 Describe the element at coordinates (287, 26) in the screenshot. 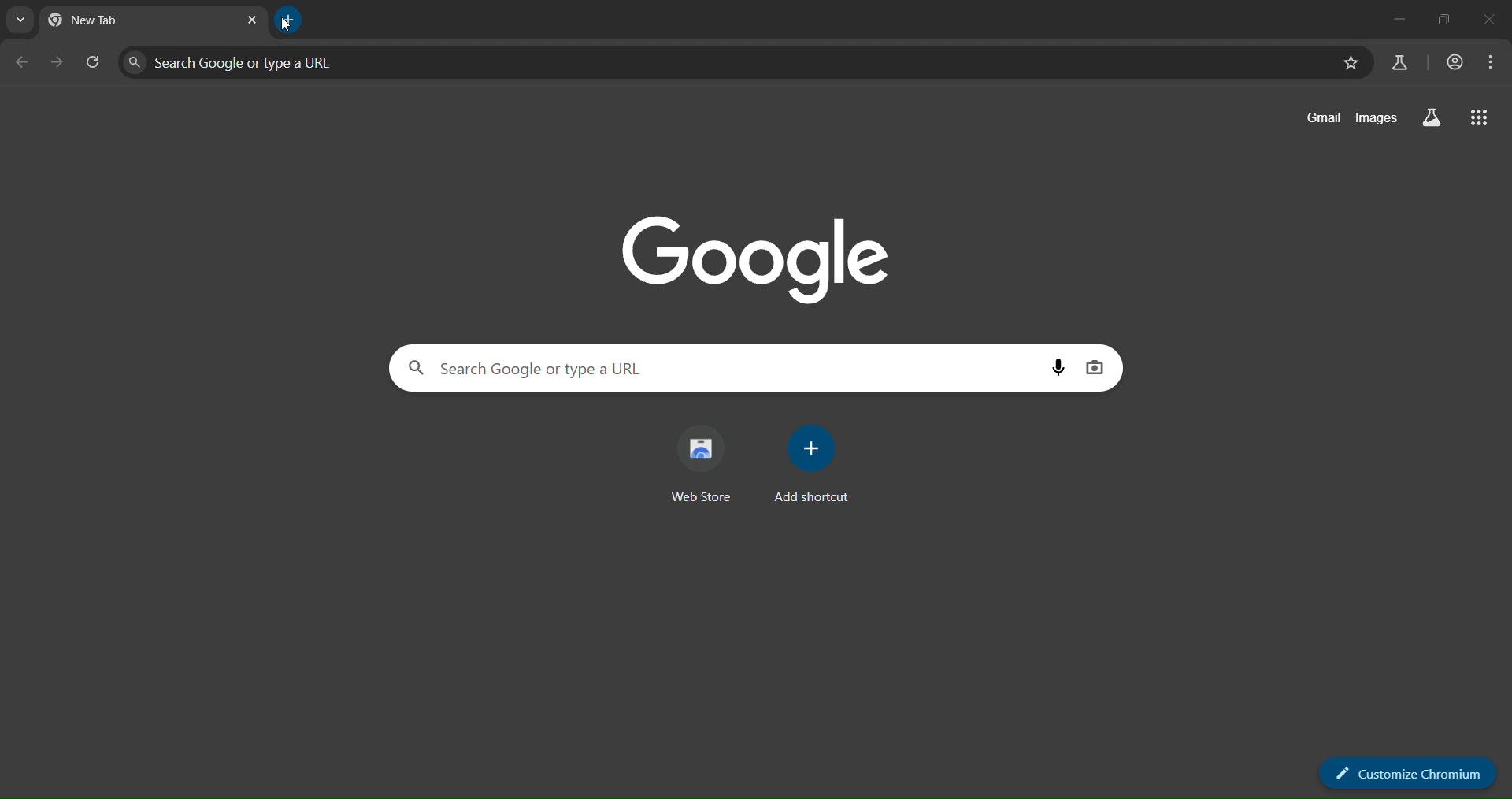

I see `cursor` at that location.